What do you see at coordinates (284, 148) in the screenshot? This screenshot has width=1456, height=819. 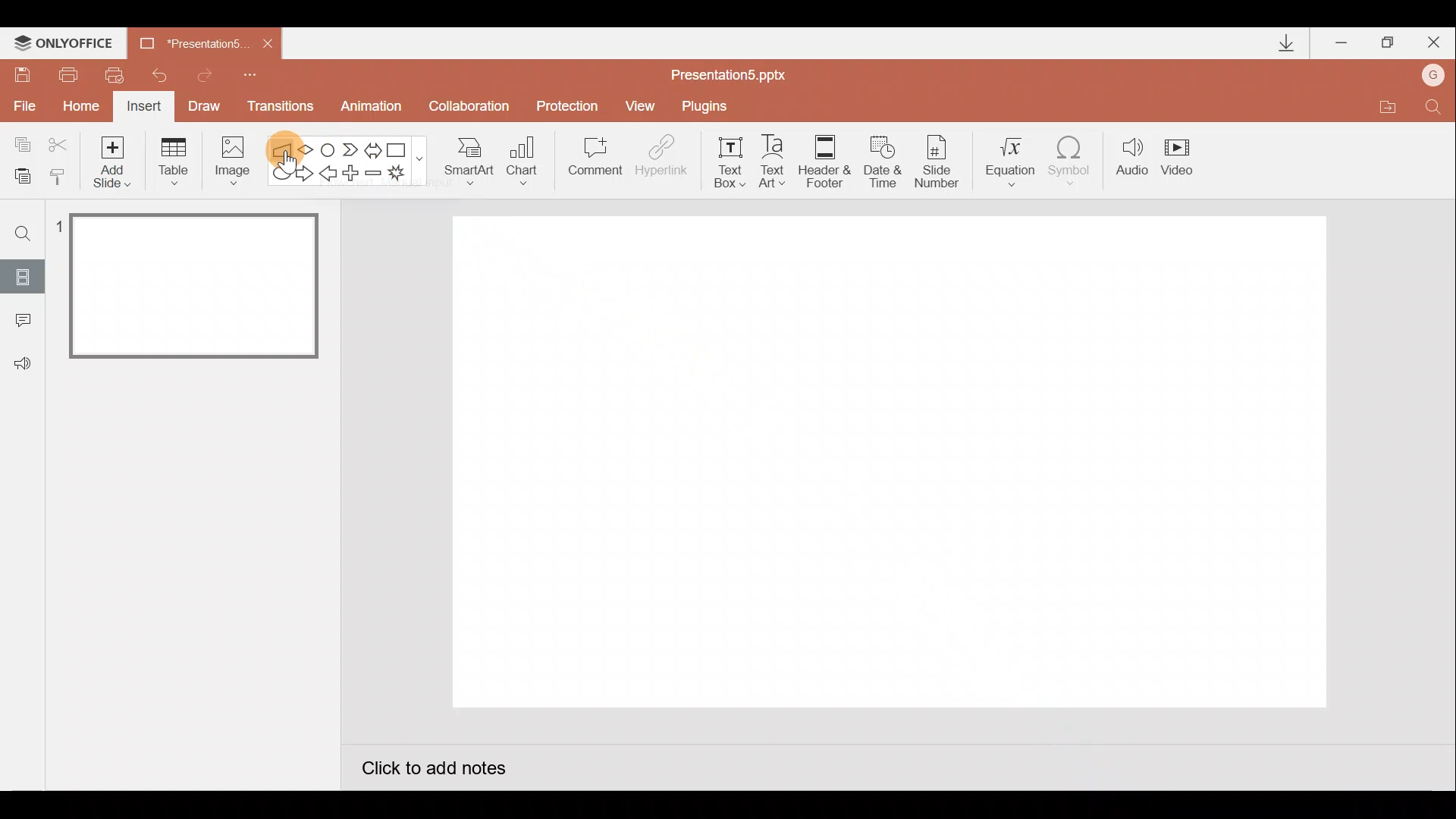 I see `Flowchart - manual input` at bounding box center [284, 148].